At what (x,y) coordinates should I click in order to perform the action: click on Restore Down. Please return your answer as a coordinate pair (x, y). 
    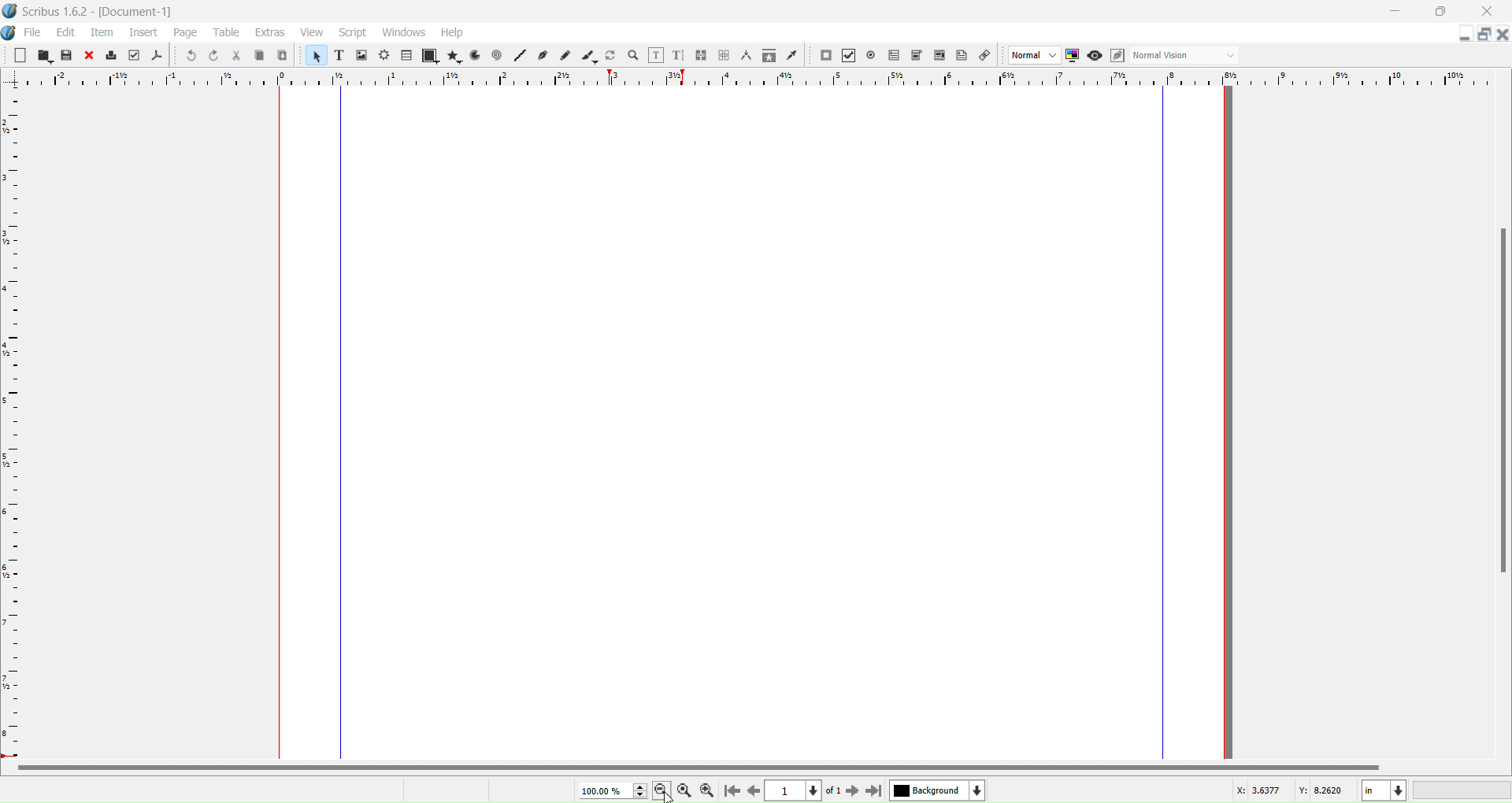
    Looking at the image, I should click on (1442, 12).